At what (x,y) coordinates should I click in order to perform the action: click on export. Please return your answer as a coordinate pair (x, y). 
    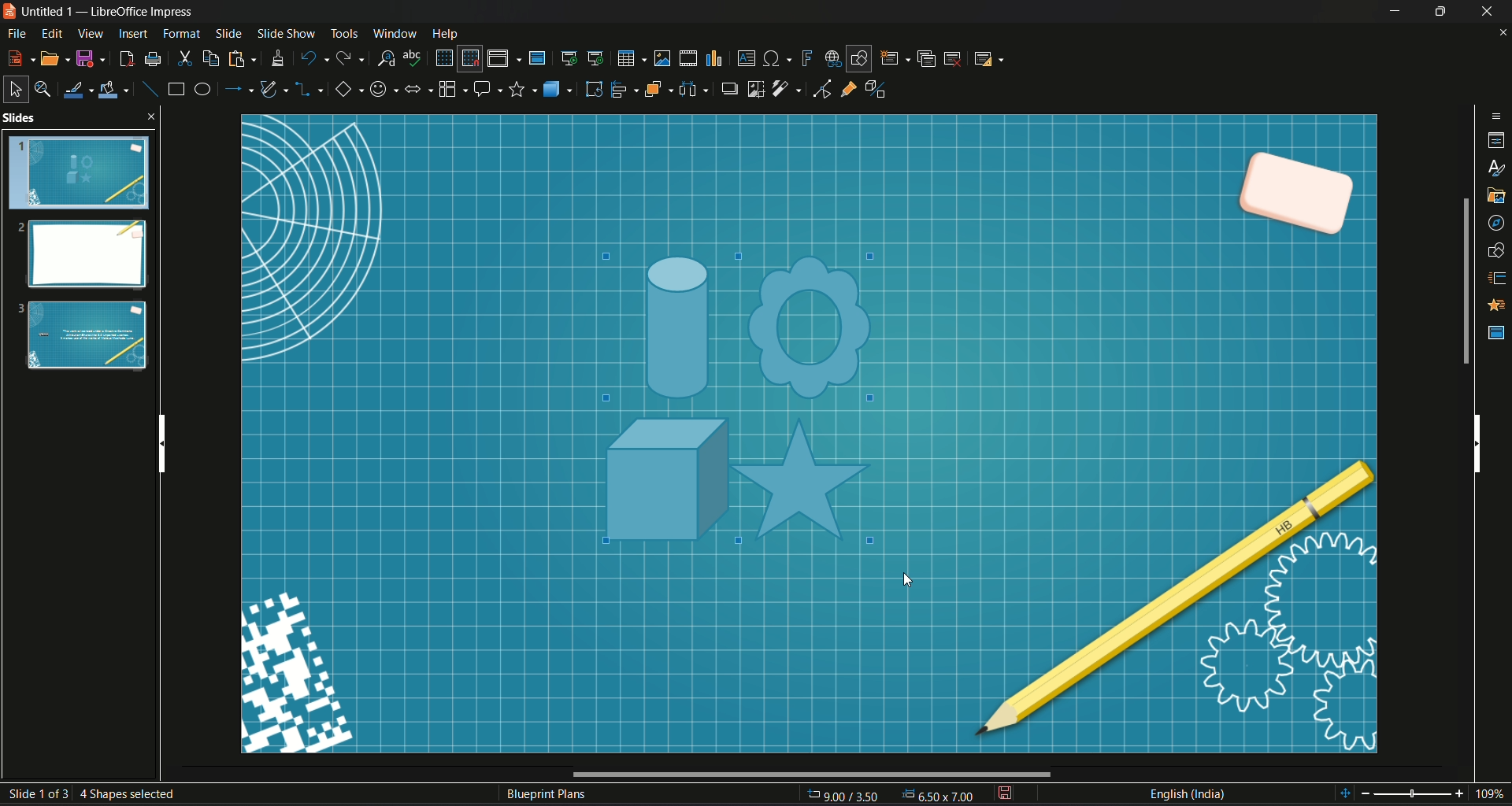
    Looking at the image, I should click on (124, 59).